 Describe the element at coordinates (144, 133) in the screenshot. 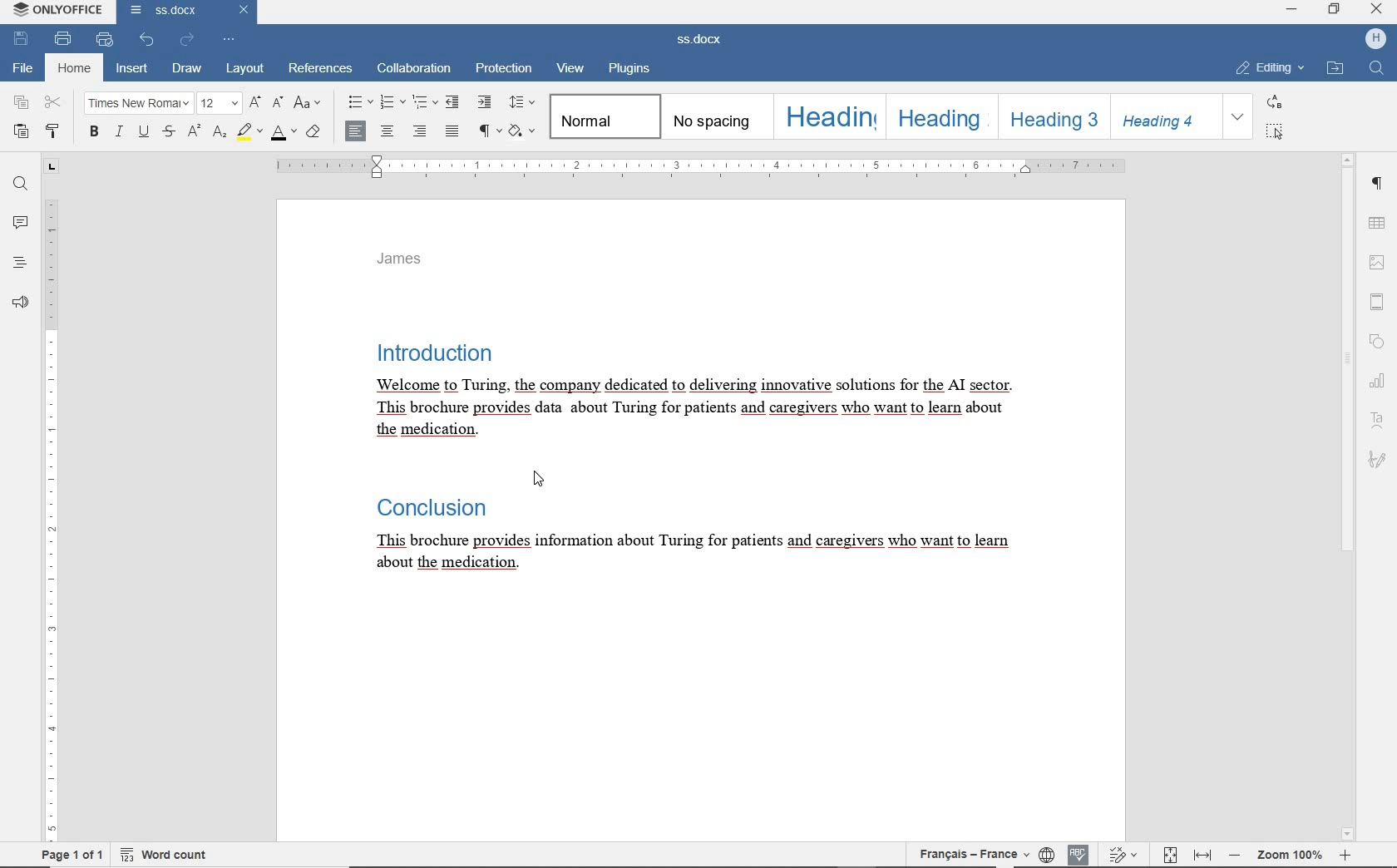

I see `UNDERLINE` at that location.